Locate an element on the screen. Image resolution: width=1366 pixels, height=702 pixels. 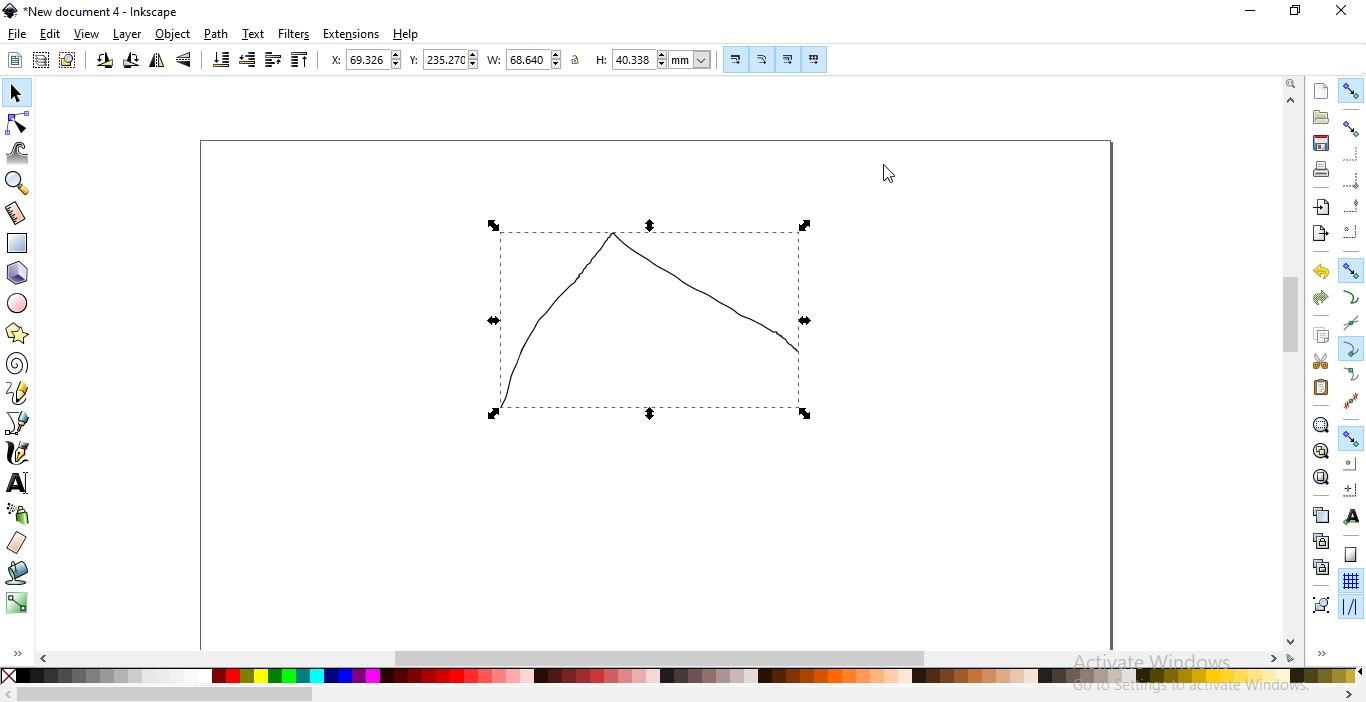
paste is located at coordinates (1320, 387).